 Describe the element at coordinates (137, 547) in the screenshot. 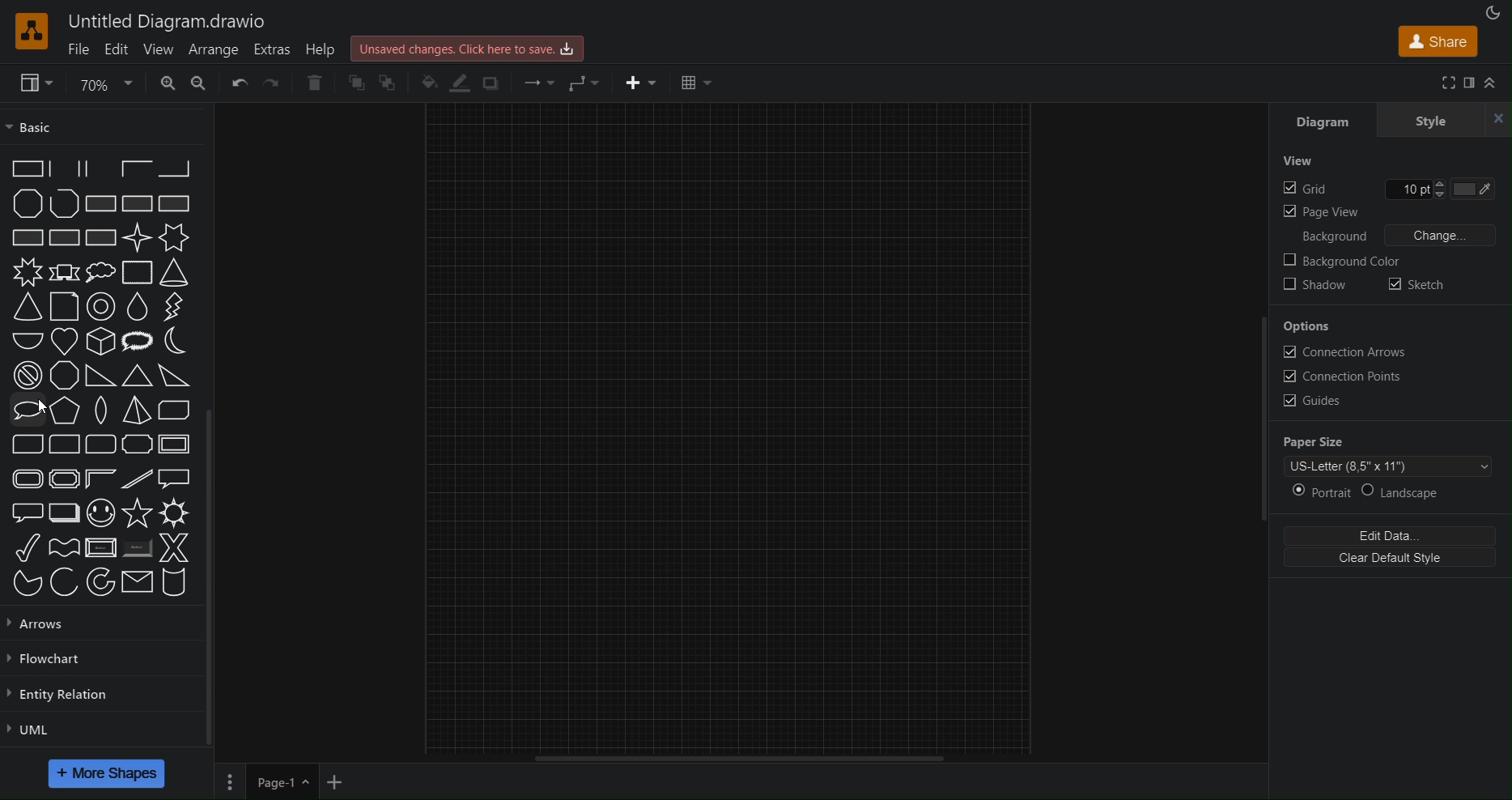

I see `Button (Shaded)` at that location.